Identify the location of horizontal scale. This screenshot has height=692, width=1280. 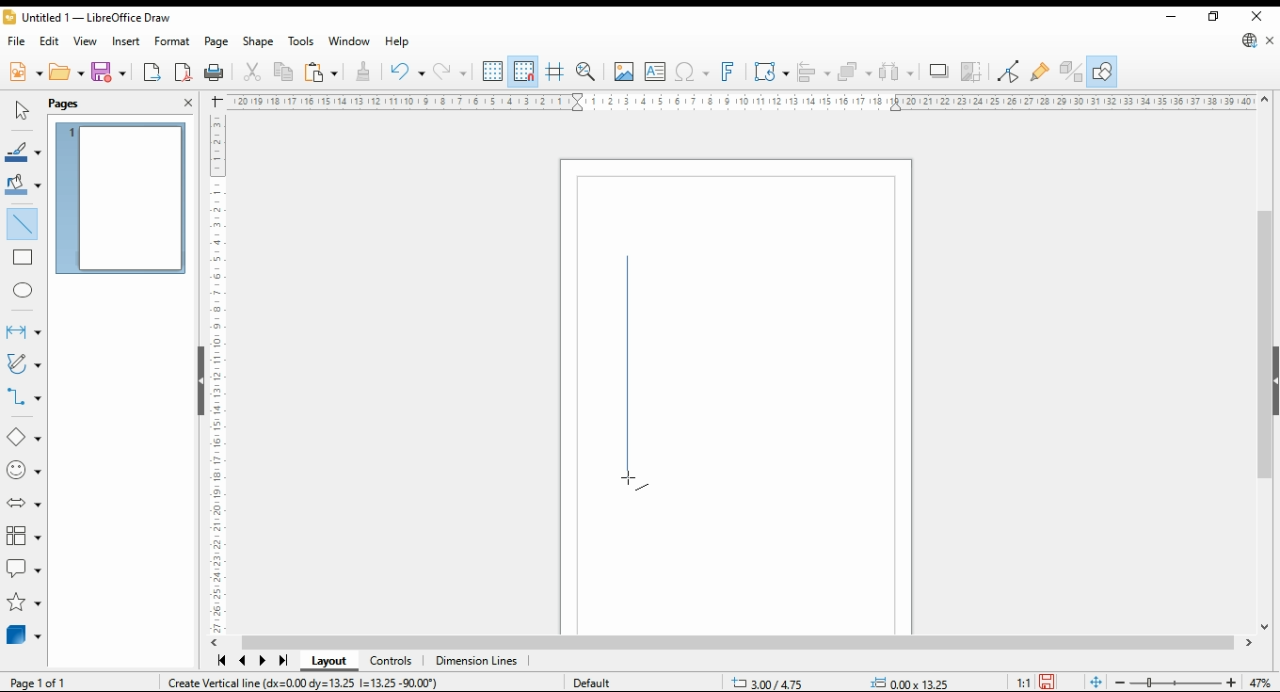
(741, 101).